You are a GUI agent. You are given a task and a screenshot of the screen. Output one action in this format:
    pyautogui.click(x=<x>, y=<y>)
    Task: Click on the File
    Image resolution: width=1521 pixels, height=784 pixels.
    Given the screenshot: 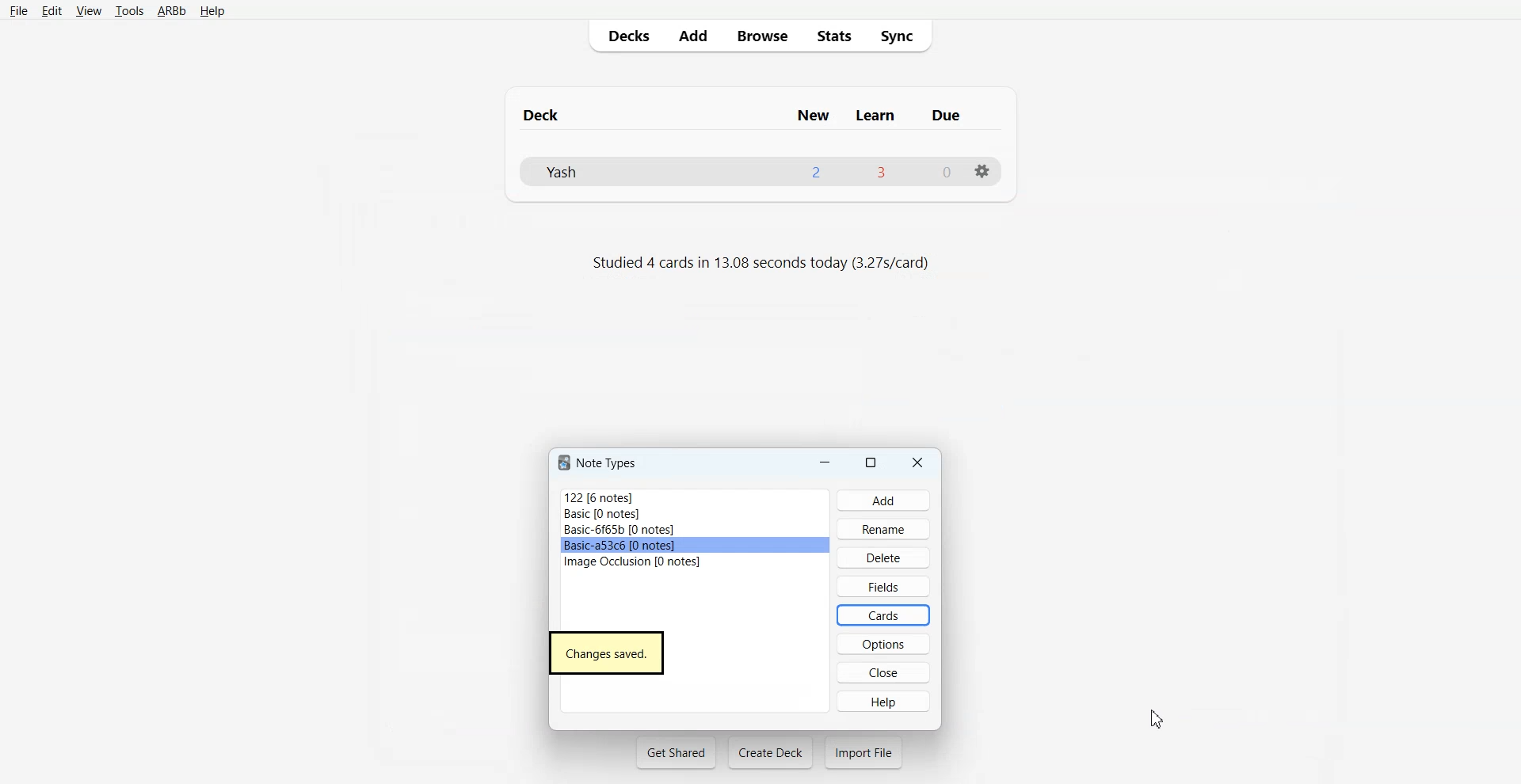 What is the action you would take?
    pyautogui.click(x=18, y=10)
    